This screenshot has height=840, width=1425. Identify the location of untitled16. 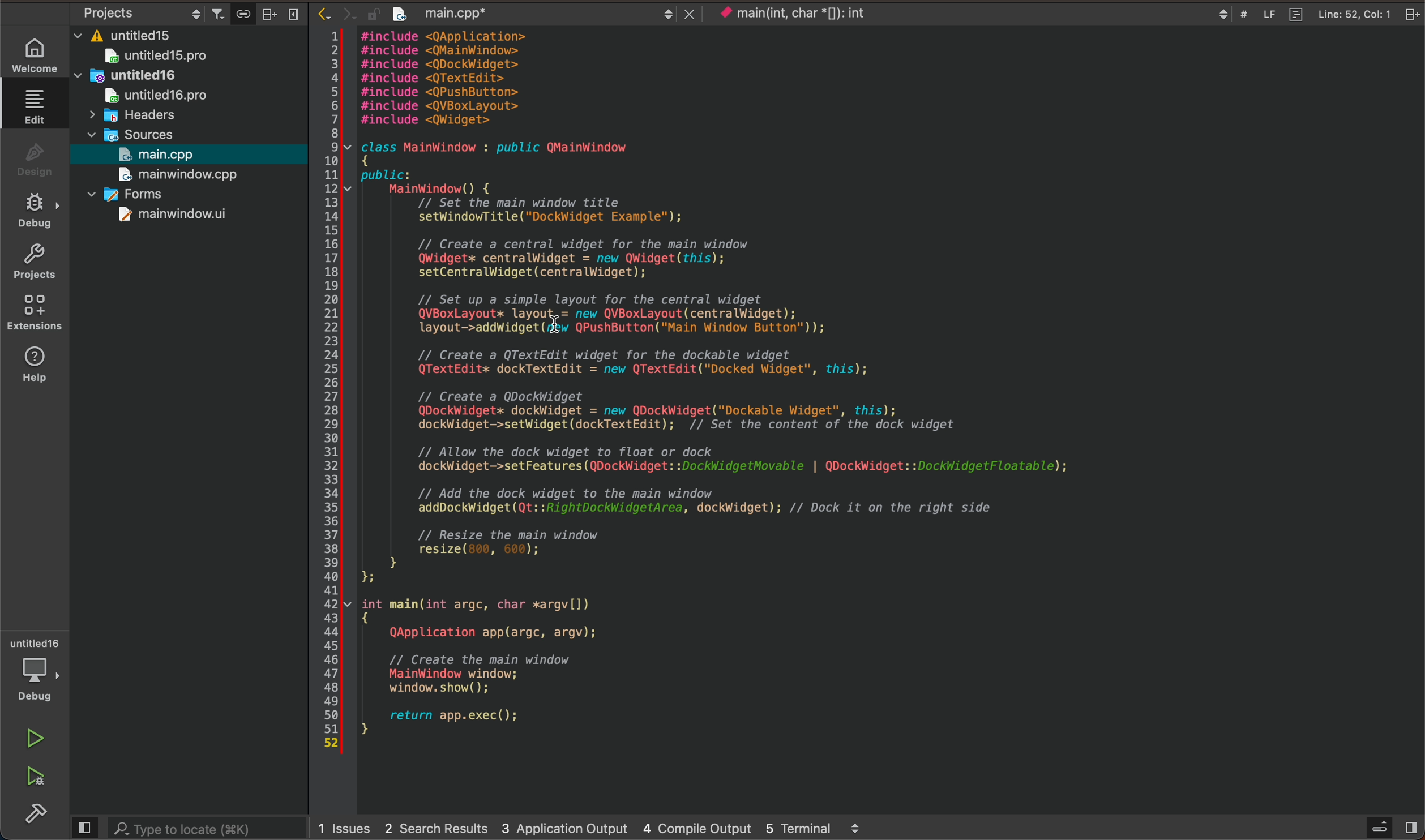
(130, 75).